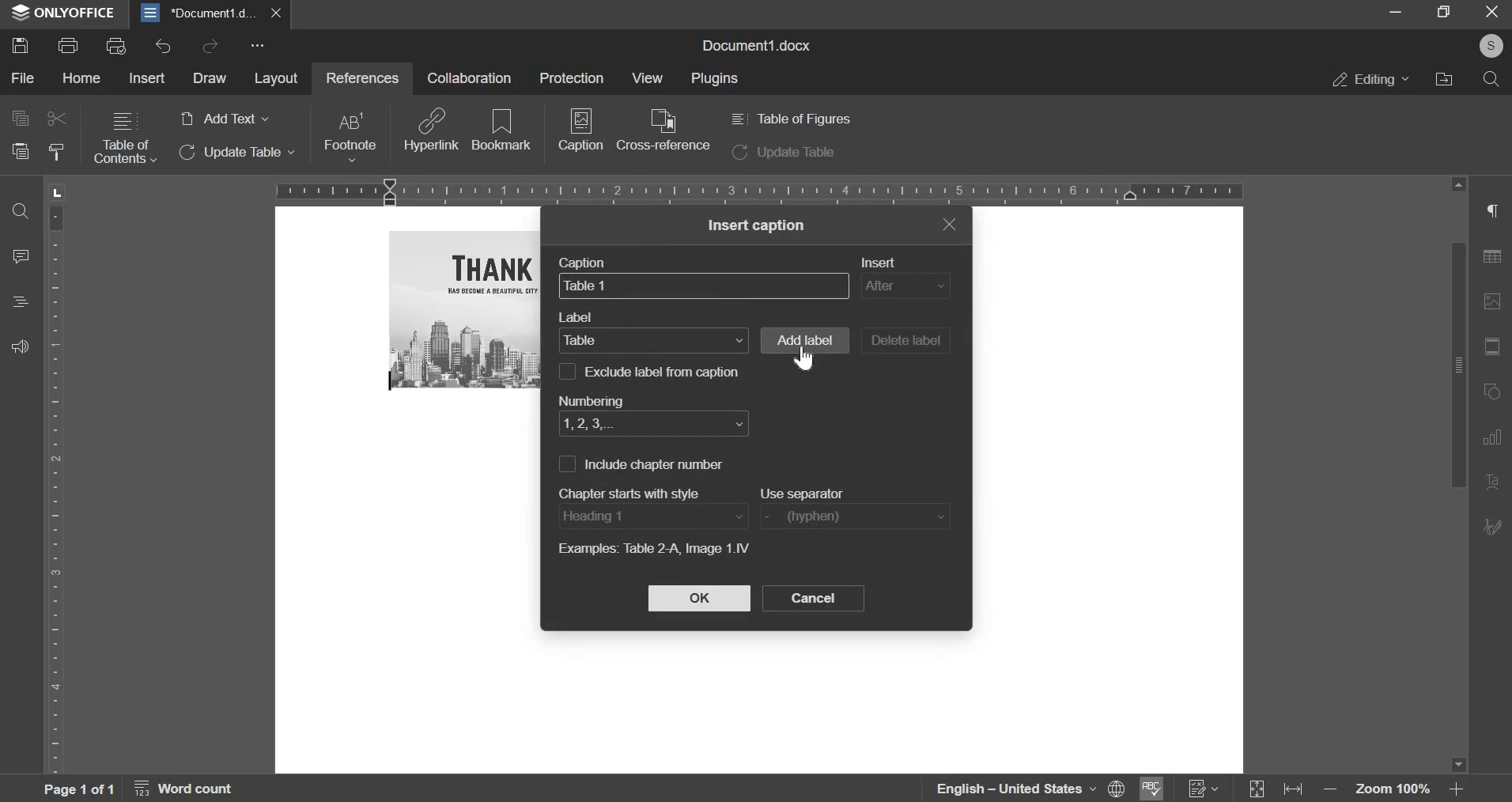 The image size is (1512, 802). Describe the element at coordinates (636, 491) in the screenshot. I see `chapter starts with style` at that location.